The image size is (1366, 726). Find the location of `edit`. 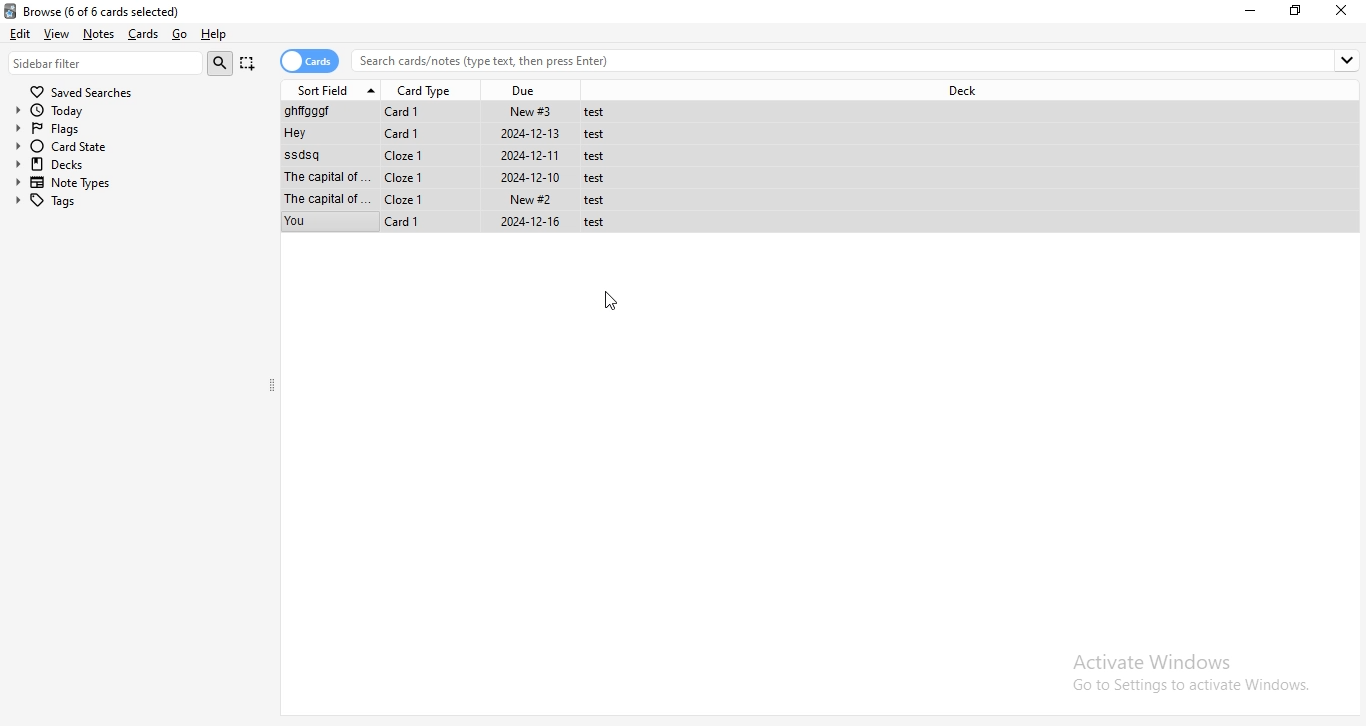

edit is located at coordinates (21, 35).